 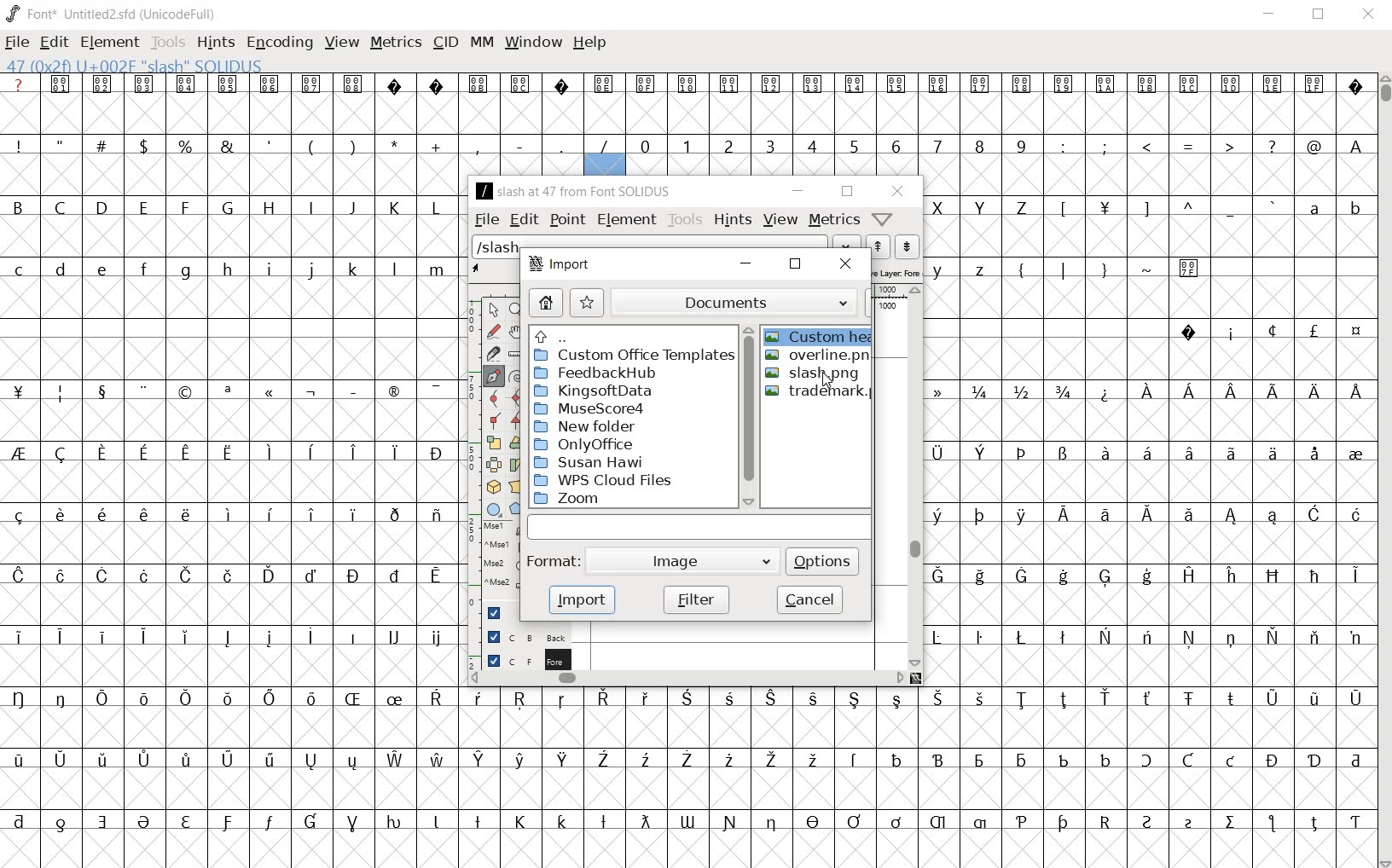 What do you see at coordinates (834, 219) in the screenshot?
I see `metrics` at bounding box center [834, 219].